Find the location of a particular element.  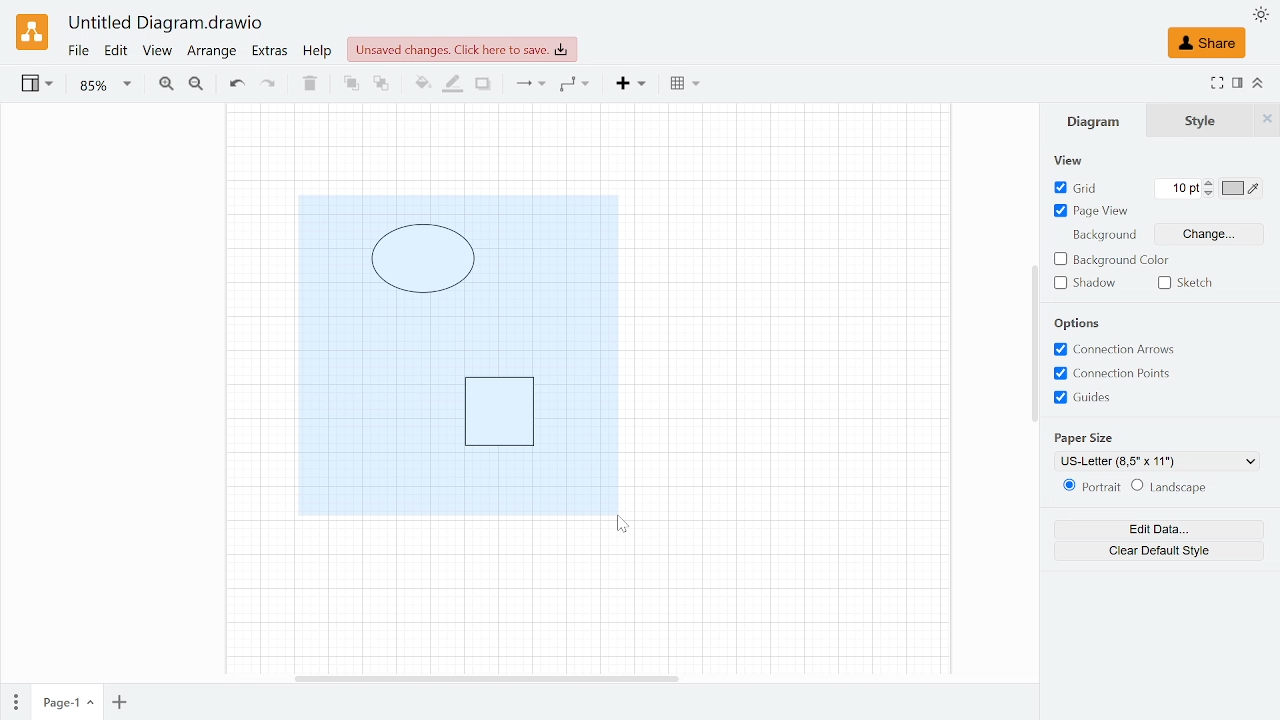

View is located at coordinates (1080, 160).